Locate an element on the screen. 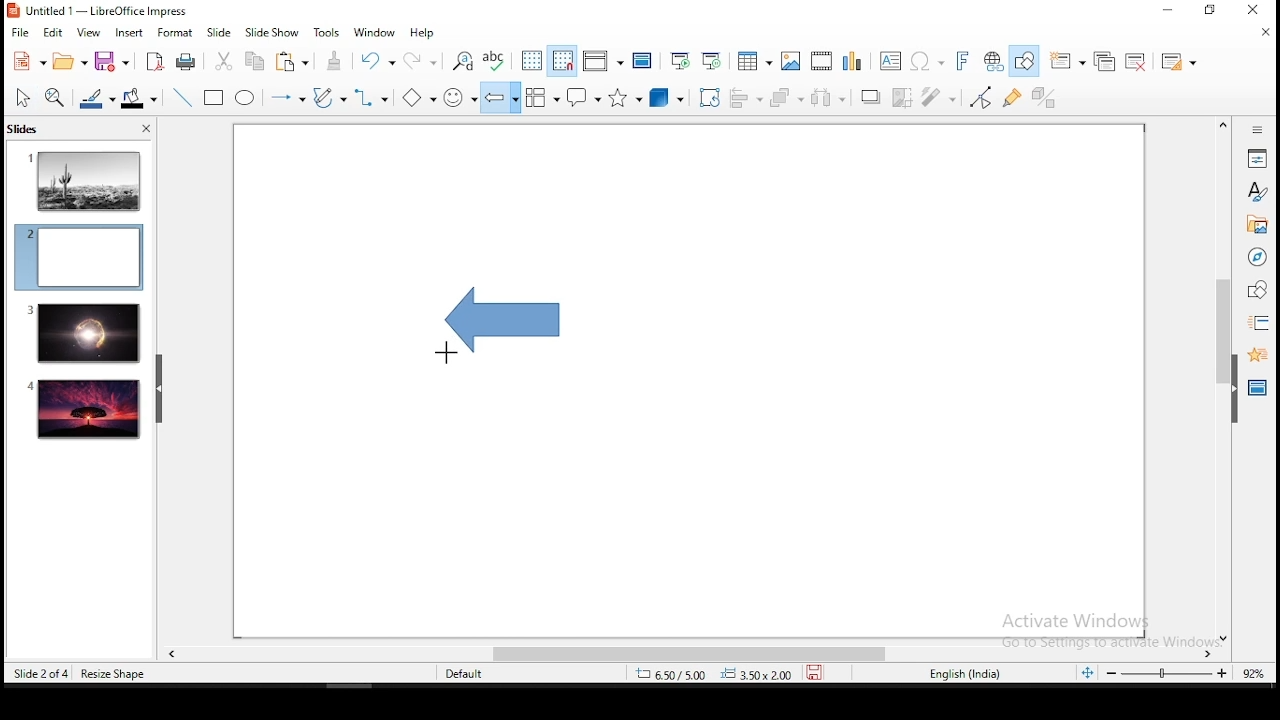 This screenshot has width=1280, height=720. special characters is located at coordinates (924, 62).